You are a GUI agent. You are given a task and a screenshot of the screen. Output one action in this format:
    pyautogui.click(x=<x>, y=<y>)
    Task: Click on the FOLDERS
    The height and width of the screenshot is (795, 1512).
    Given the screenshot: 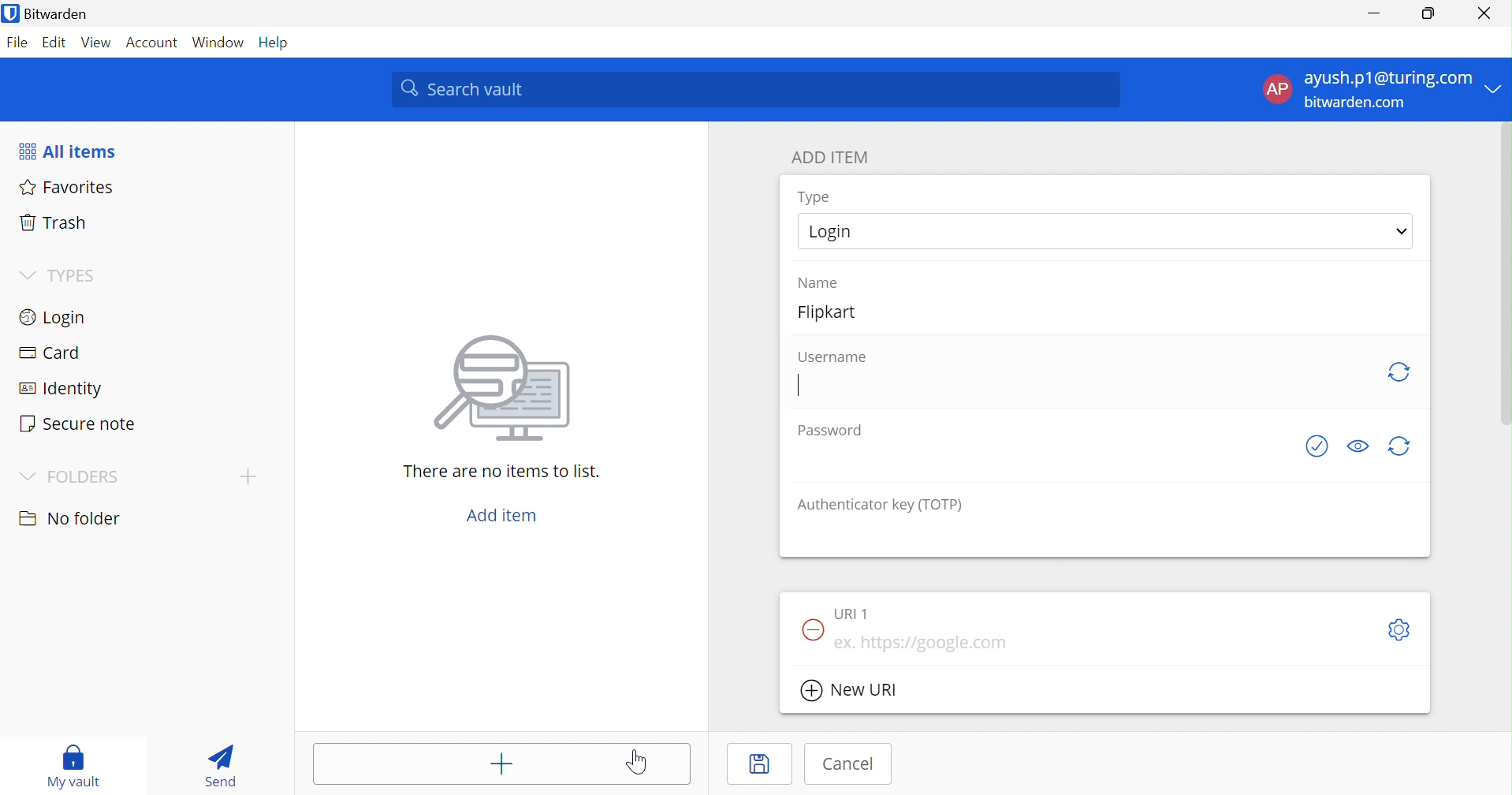 What is the action you would take?
    pyautogui.click(x=84, y=478)
    